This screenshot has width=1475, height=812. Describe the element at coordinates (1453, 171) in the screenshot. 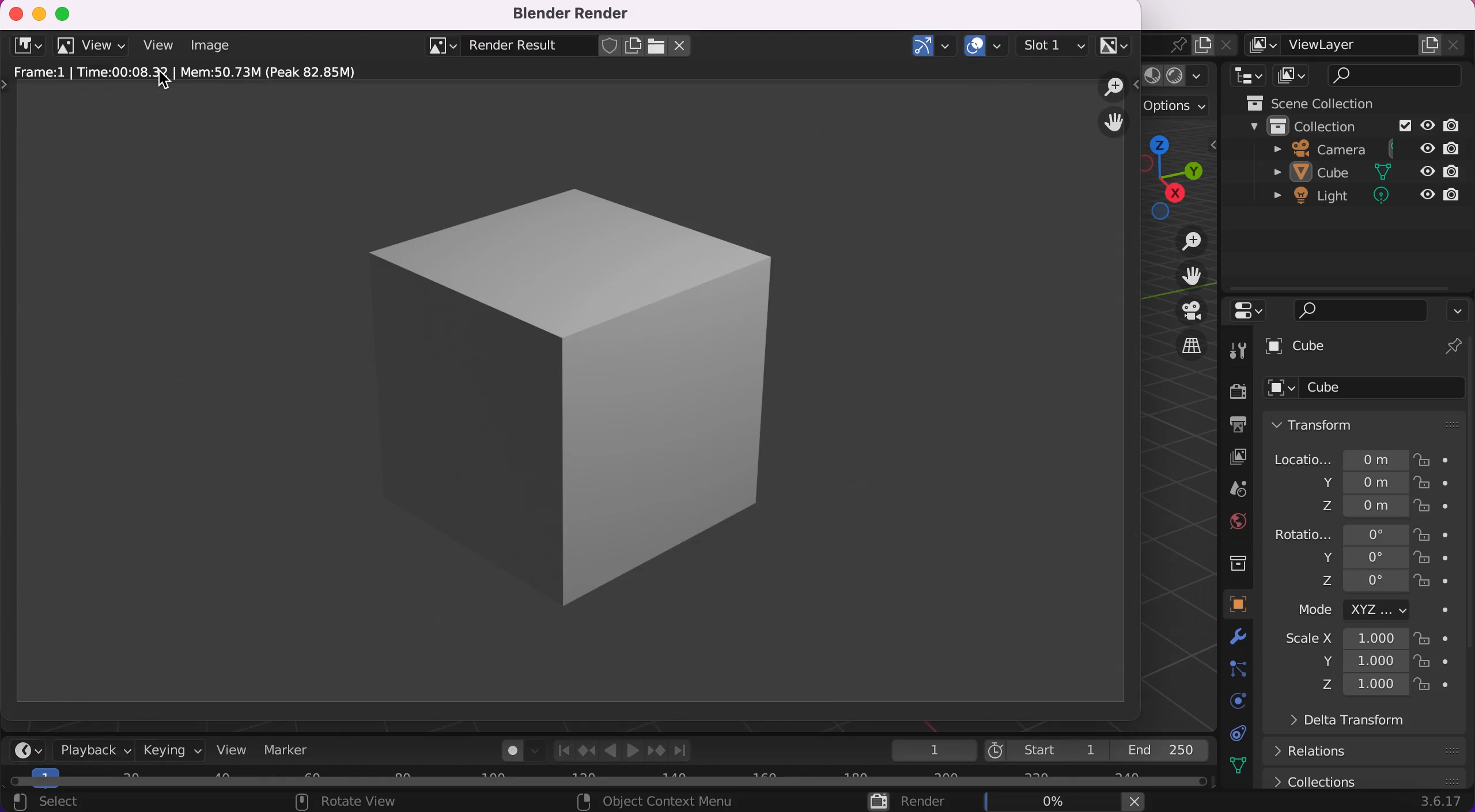

I see `disable in render` at that location.